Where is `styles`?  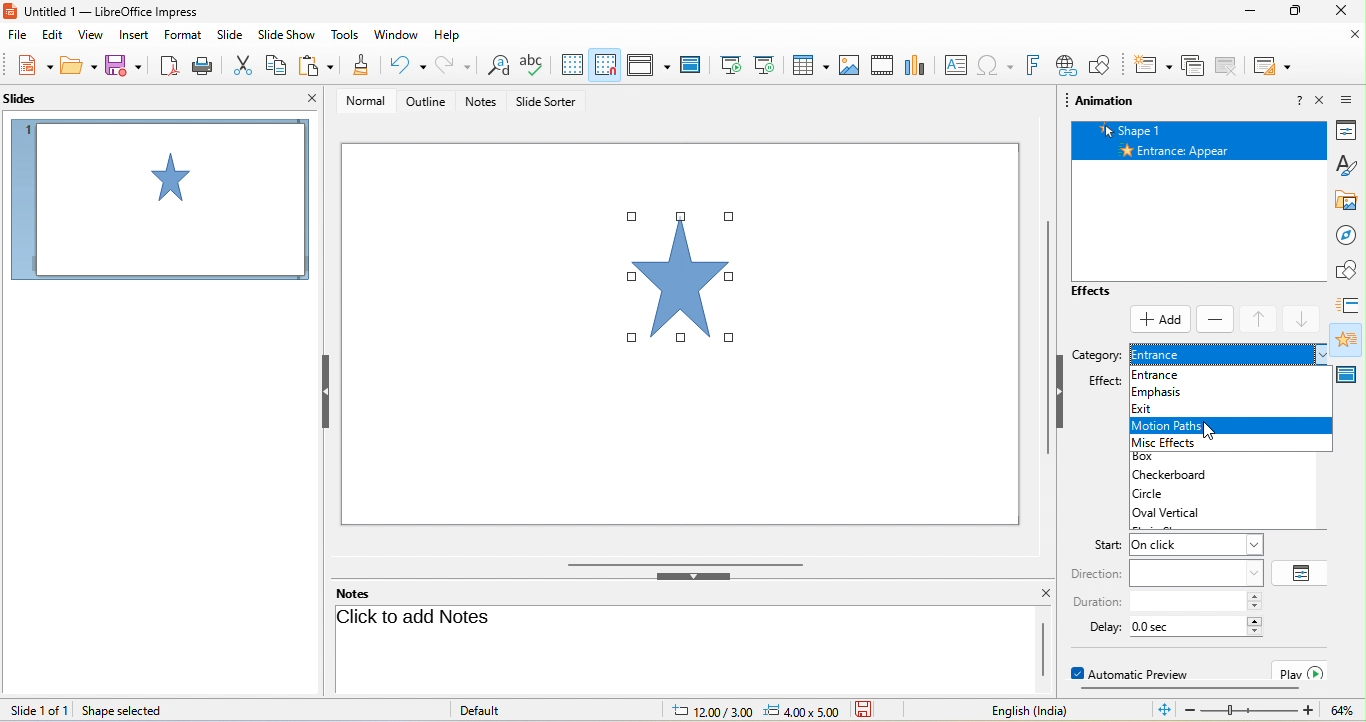
styles is located at coordinates (1350, 166).